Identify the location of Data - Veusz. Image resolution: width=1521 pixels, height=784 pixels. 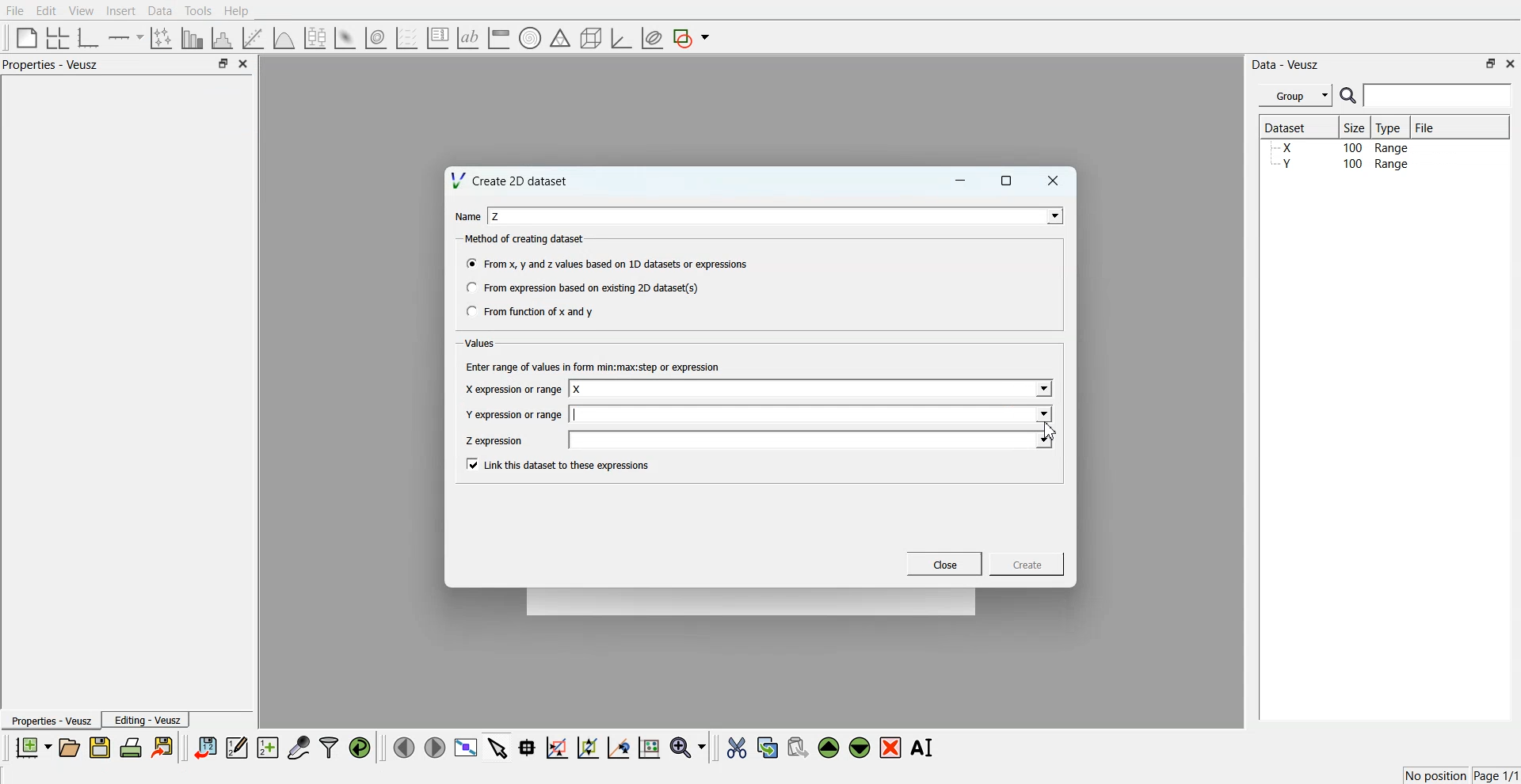
(1285, 65).